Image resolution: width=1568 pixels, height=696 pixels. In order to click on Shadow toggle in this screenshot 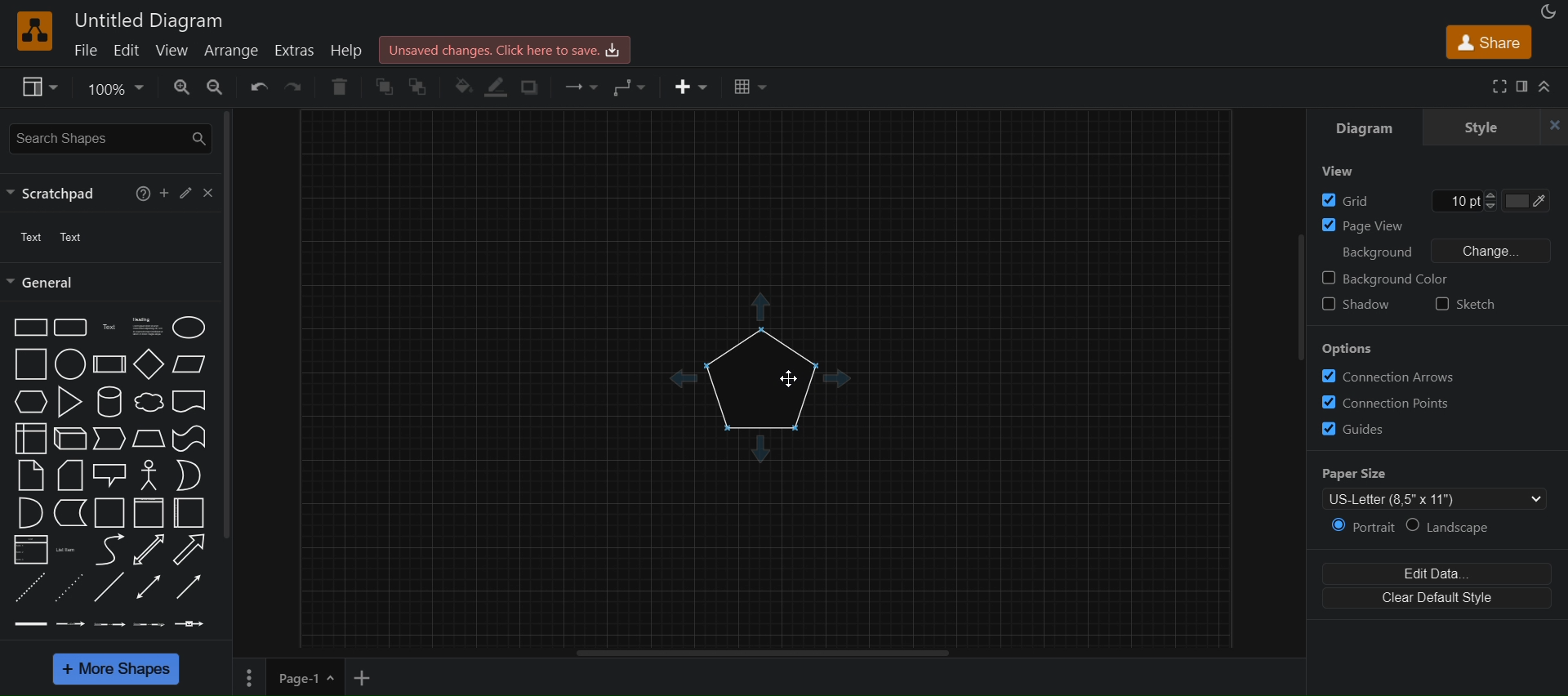, I will do `click(1356, 304)`.